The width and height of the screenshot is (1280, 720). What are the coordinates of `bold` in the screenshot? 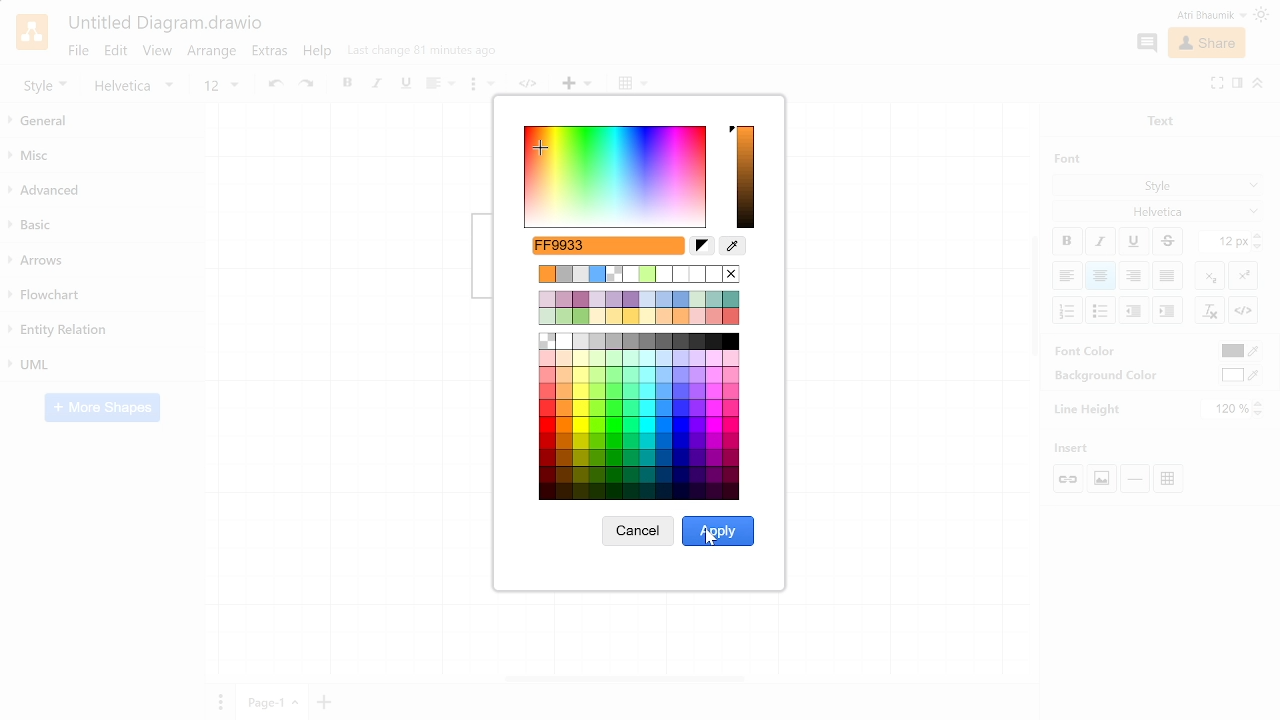 It's located at (349, 85).